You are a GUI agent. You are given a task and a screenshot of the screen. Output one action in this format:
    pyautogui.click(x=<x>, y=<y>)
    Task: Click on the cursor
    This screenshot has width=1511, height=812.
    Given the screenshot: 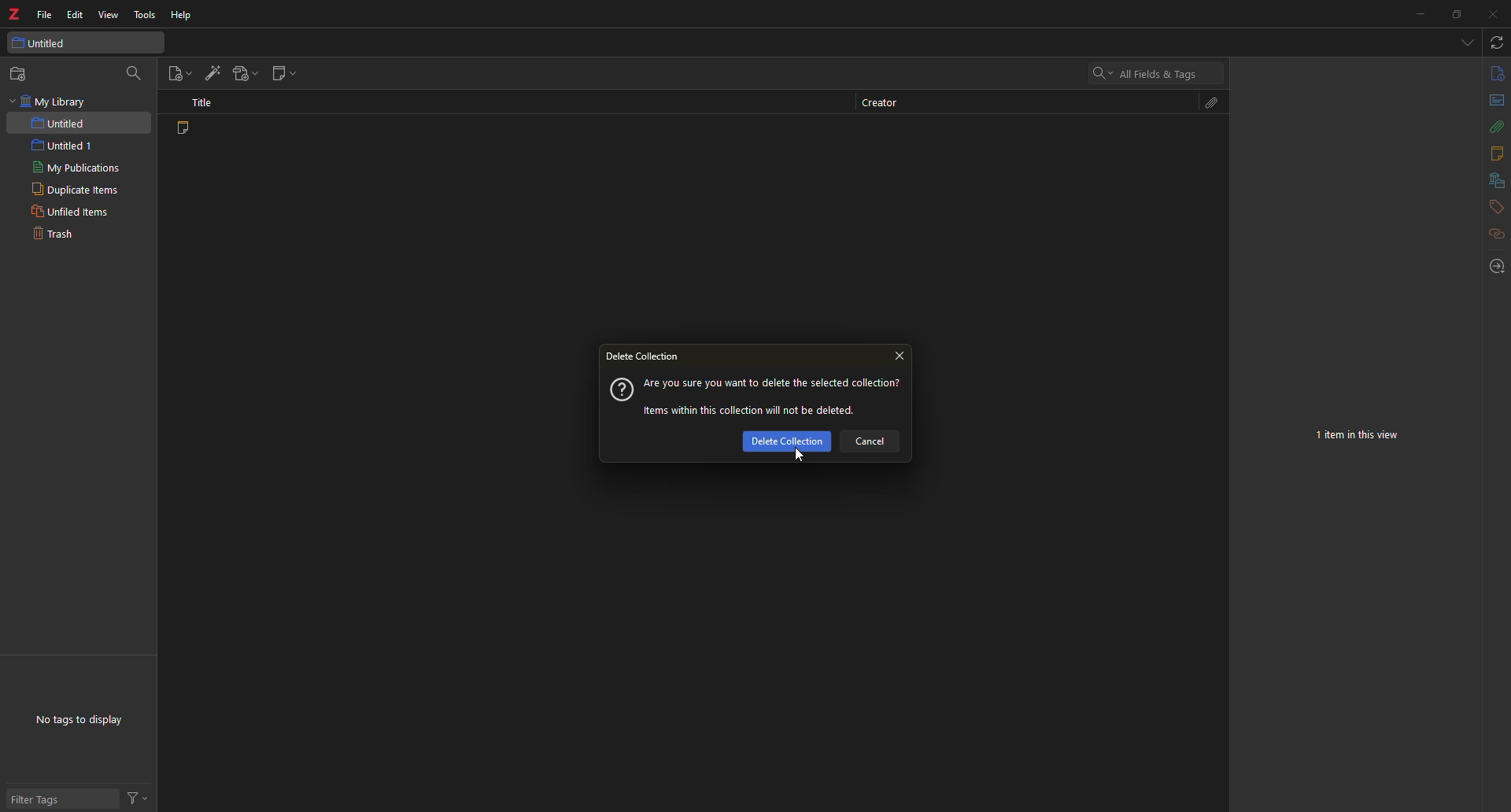 What is the action you would take?
    pyautogui.click(x=801, y=456)
    